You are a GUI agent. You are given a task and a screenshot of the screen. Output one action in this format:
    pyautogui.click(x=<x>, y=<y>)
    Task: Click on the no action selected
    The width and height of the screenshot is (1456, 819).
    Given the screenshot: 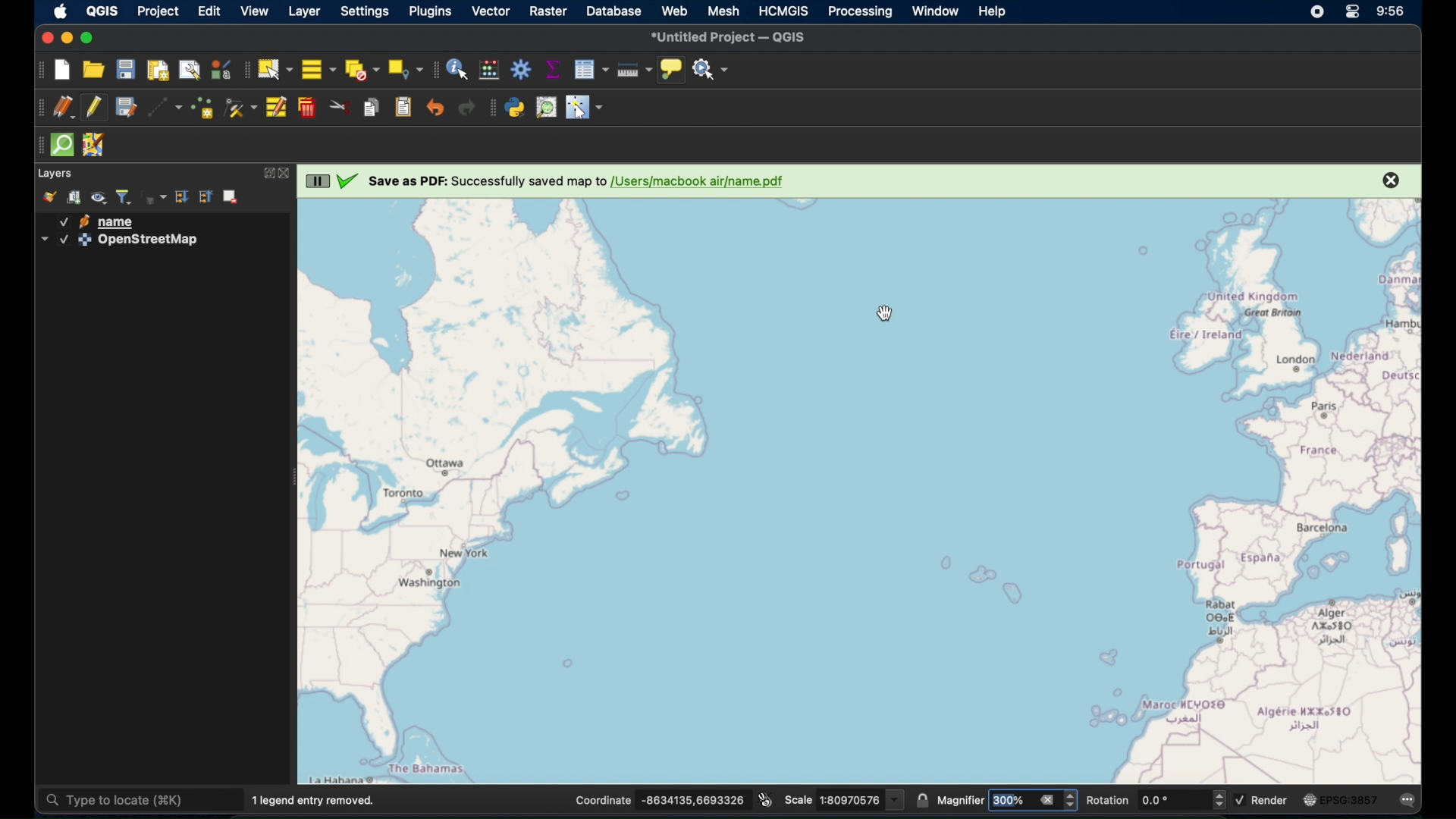 What is the action you would take?
    pyautogui.click(x=711, y=71)
    